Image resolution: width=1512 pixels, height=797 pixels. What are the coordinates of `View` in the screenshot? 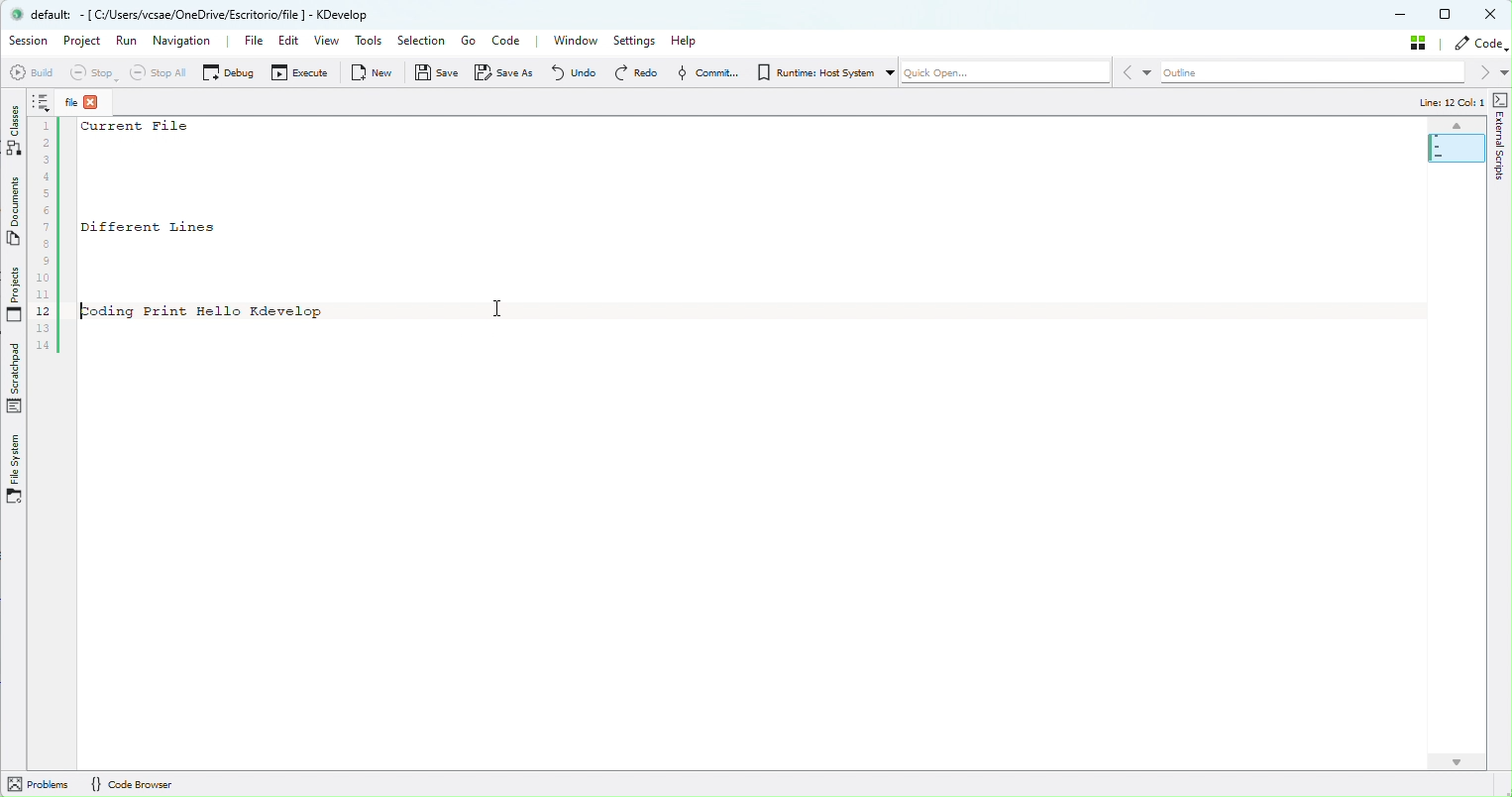 It's located at (327, 41).